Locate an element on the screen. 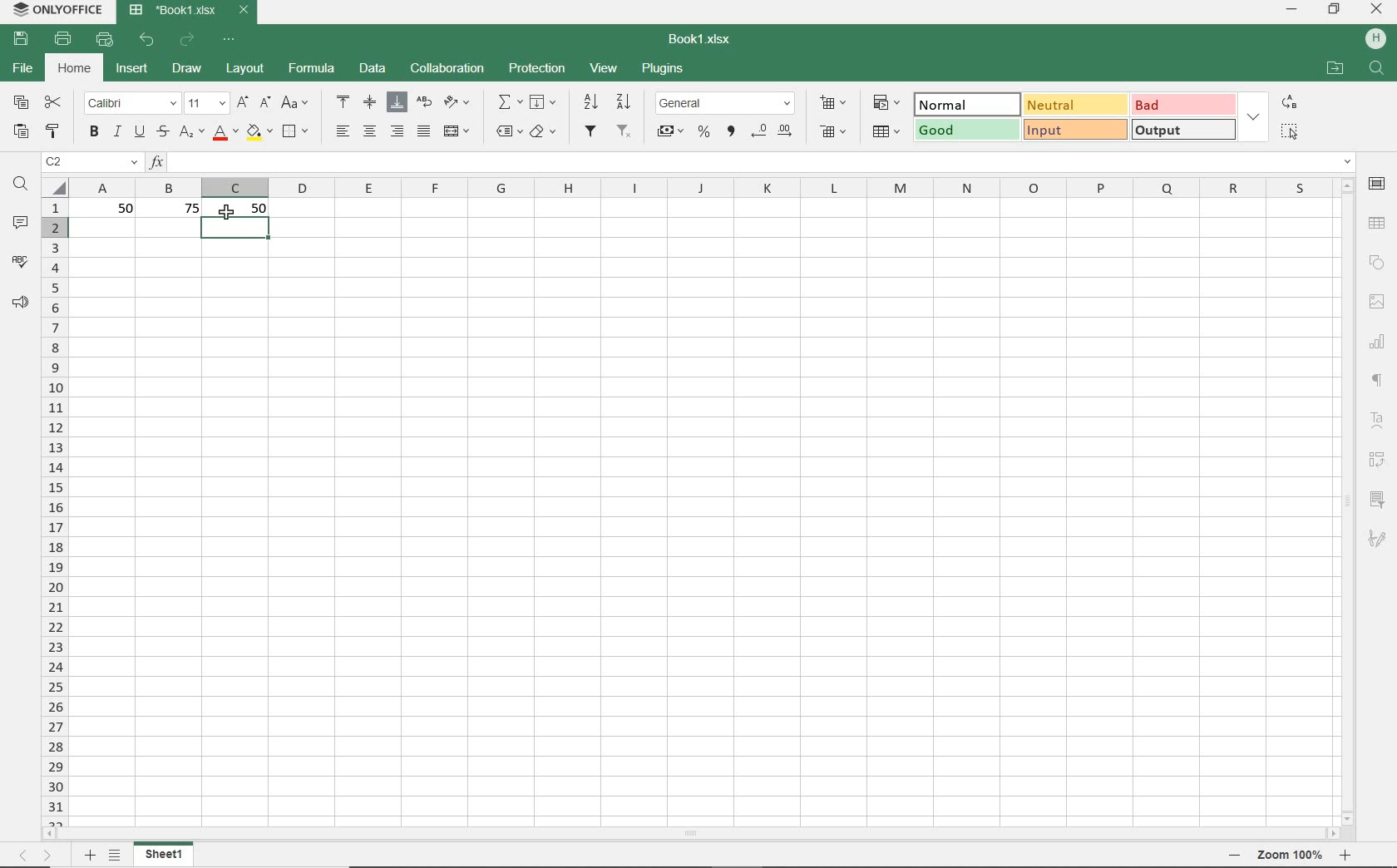 This screenshot has height=868, width=1397. conditional formatting is located at coordinates (889, 102).